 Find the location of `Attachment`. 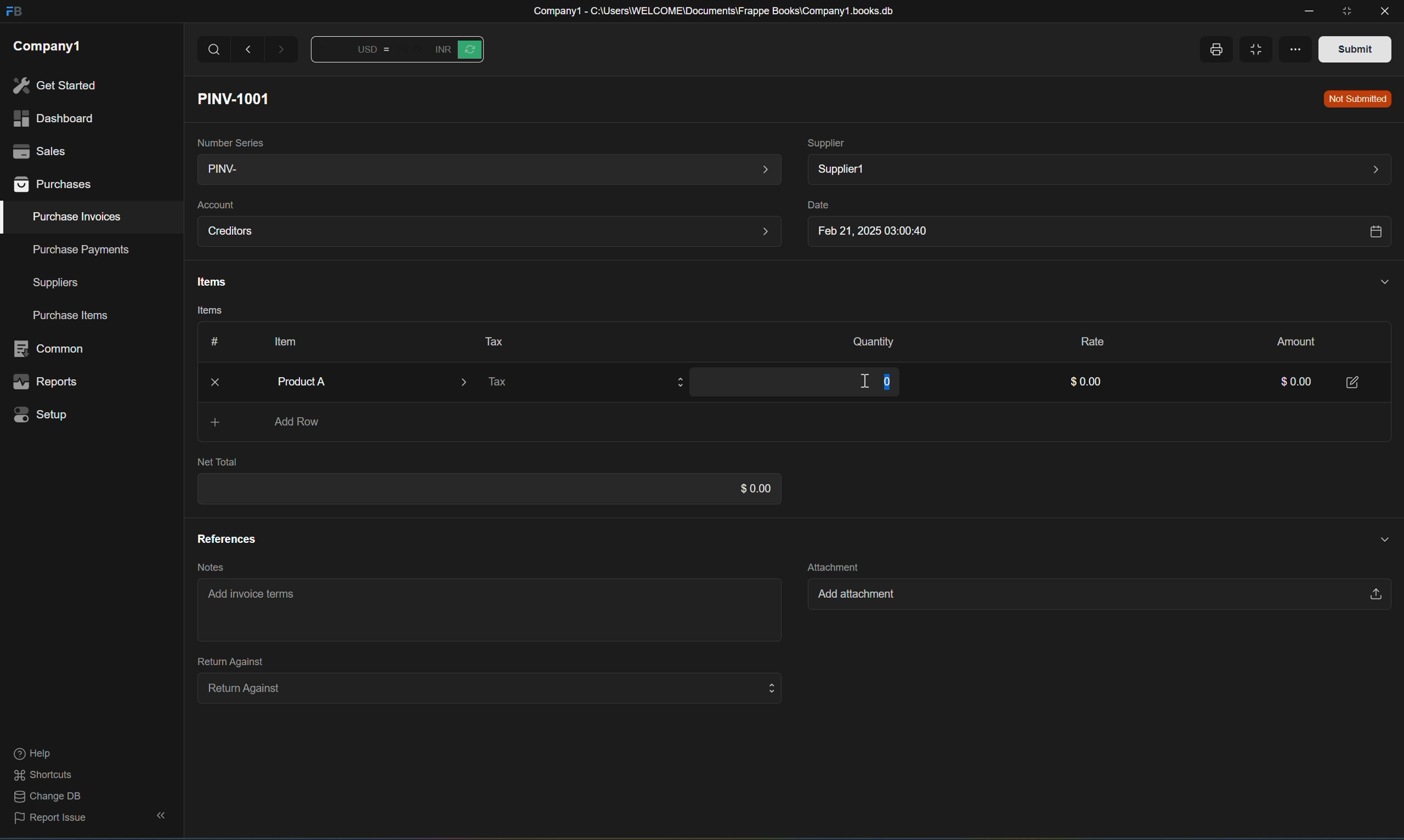

Attachment is located at coordinates (833, 565).